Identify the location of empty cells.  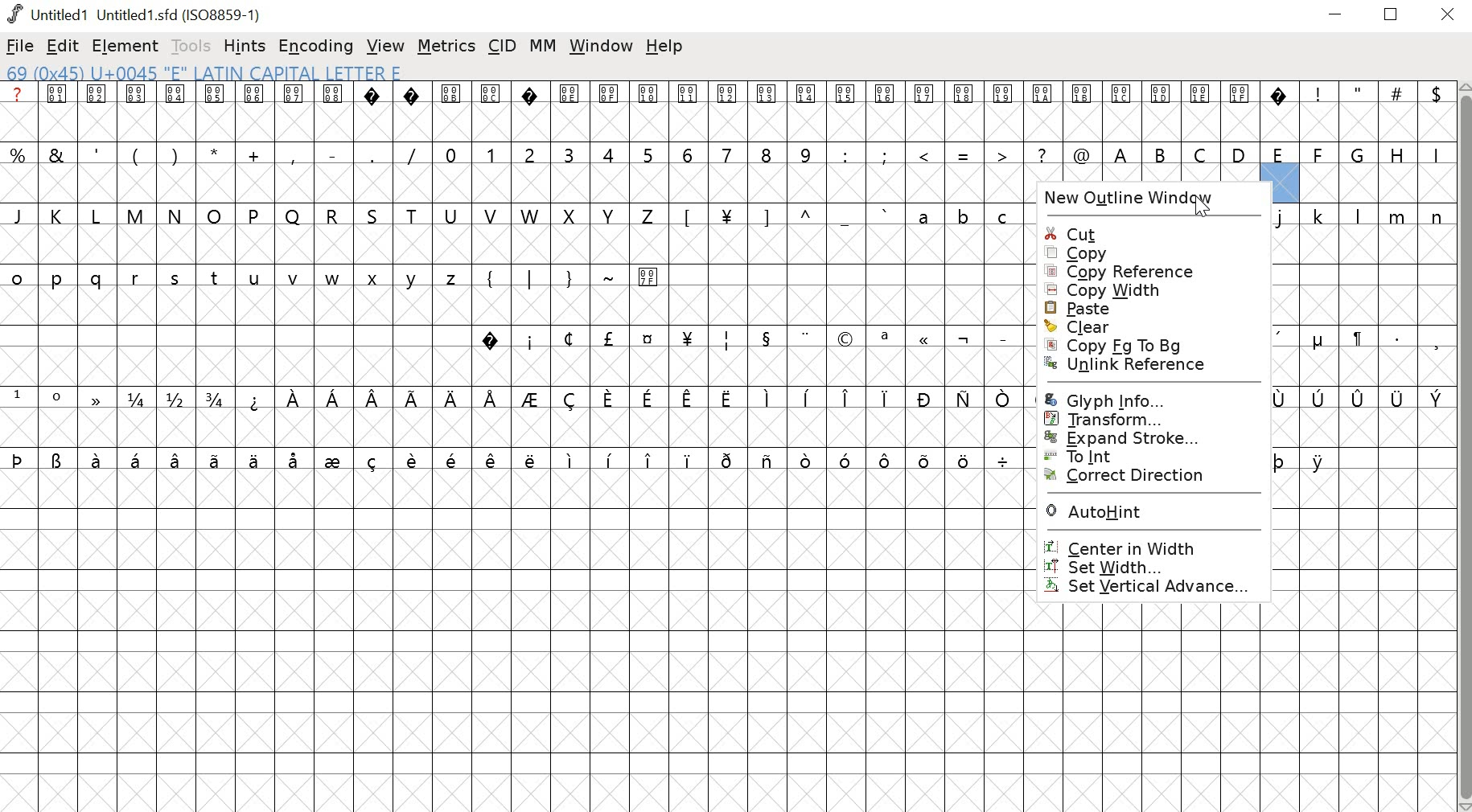
(515, 245).